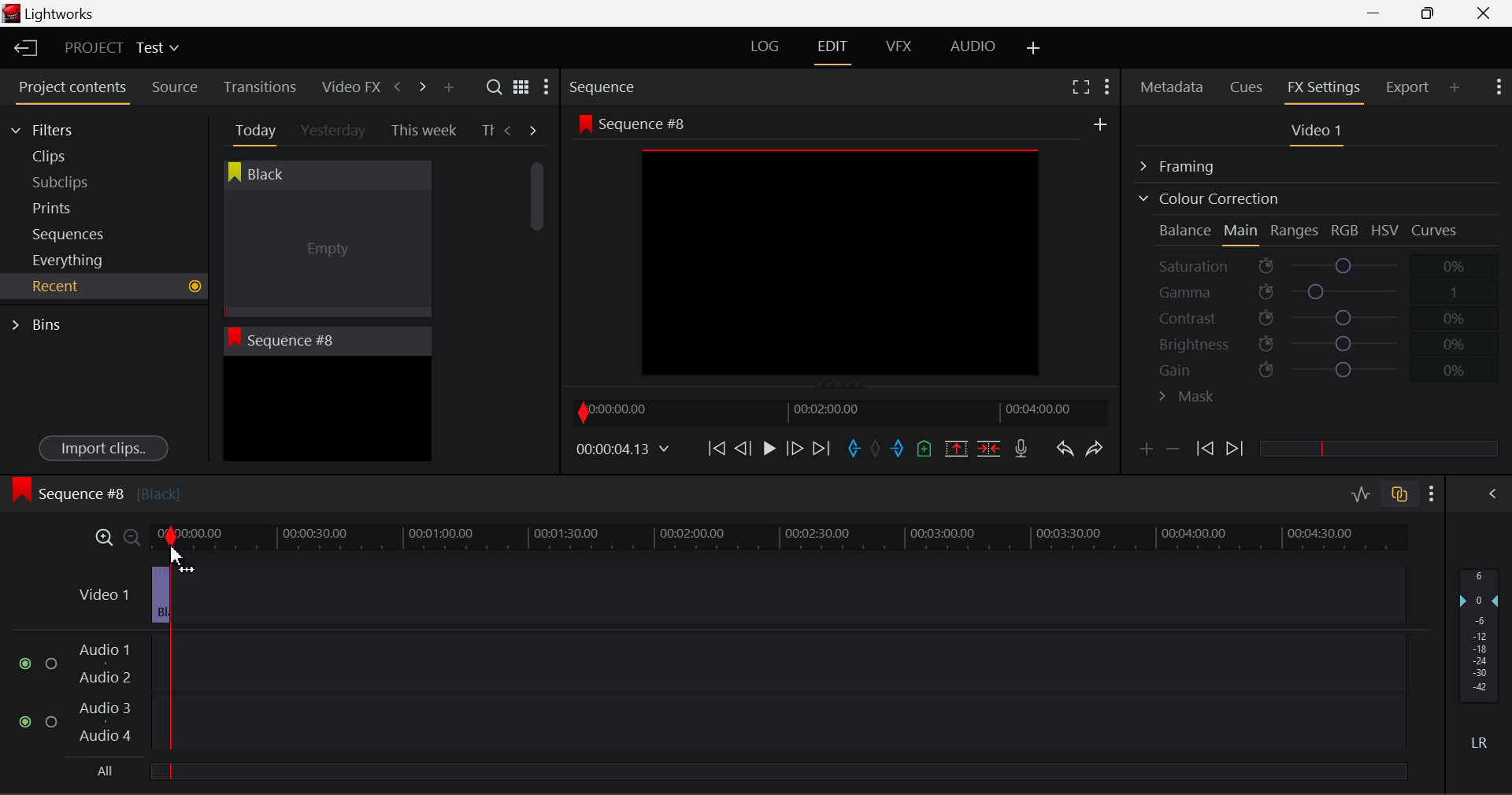 This screenshot has height=795, width=1512. Describe the element at coordinates (335, 131) in the screenshot. I see `Yesterday Tab` at that location.